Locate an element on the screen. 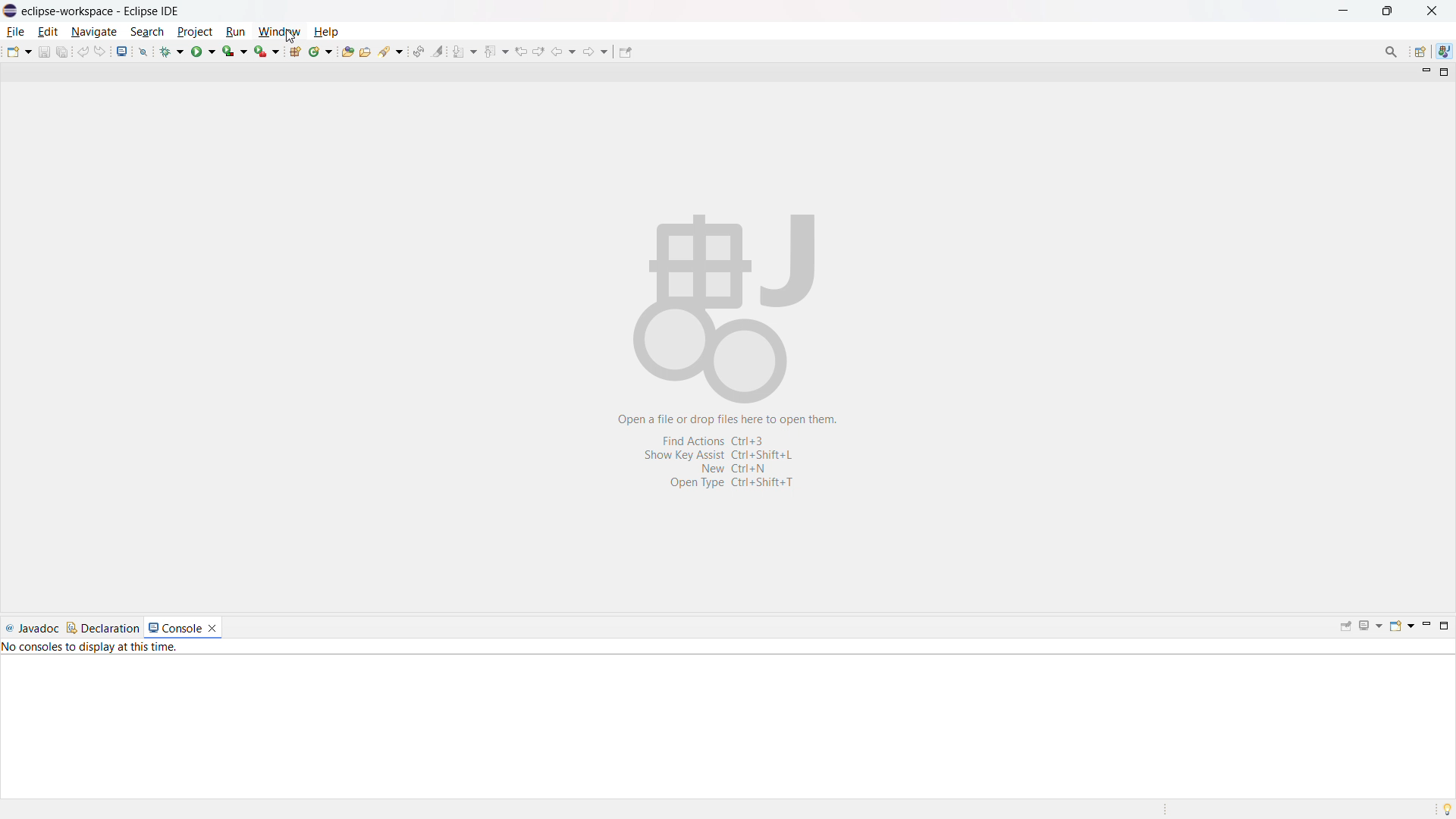  navigate is located at coordinates (95, 32).